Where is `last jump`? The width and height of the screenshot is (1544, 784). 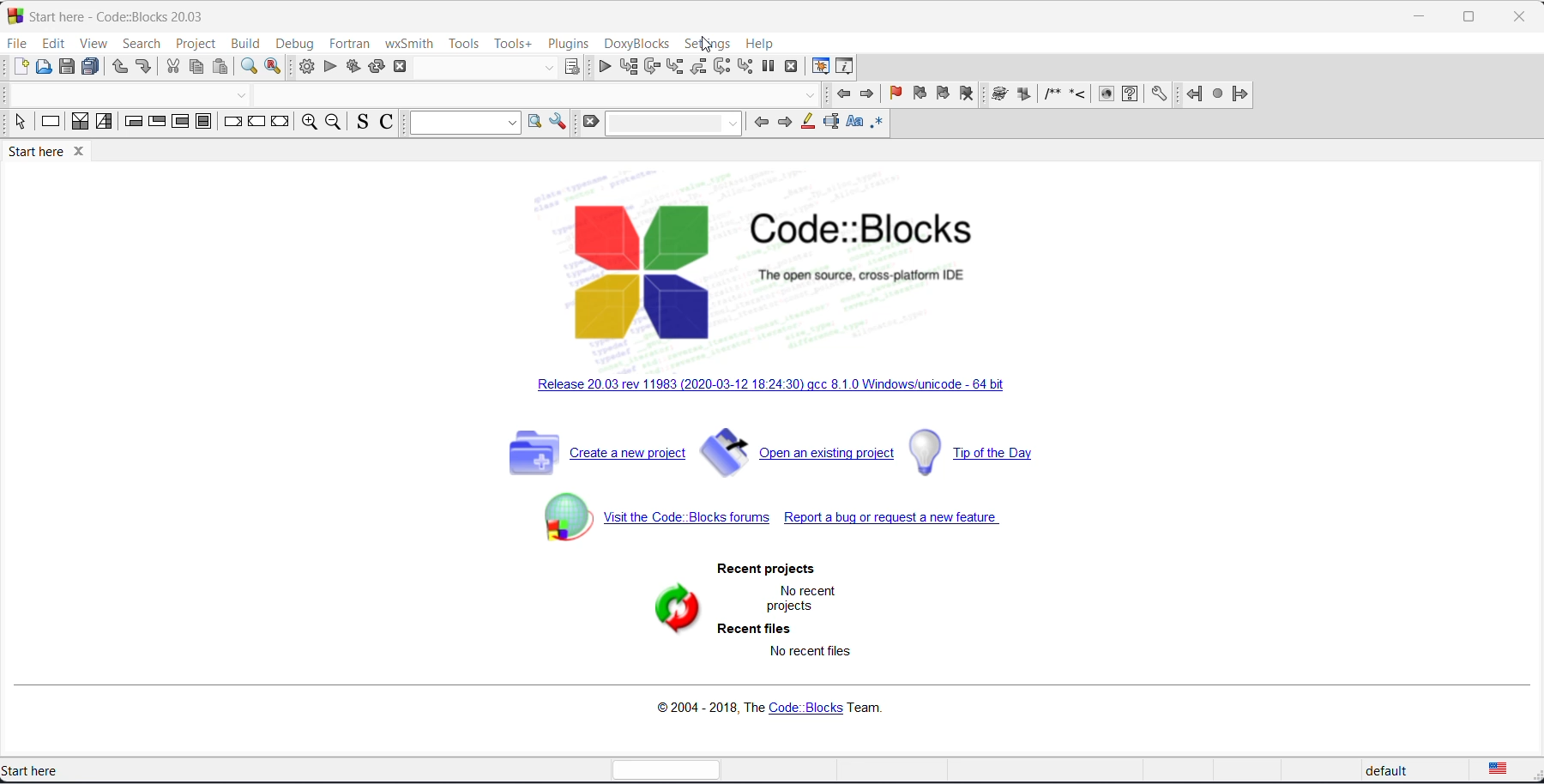
last jump is located at coordinates (1218, 94).